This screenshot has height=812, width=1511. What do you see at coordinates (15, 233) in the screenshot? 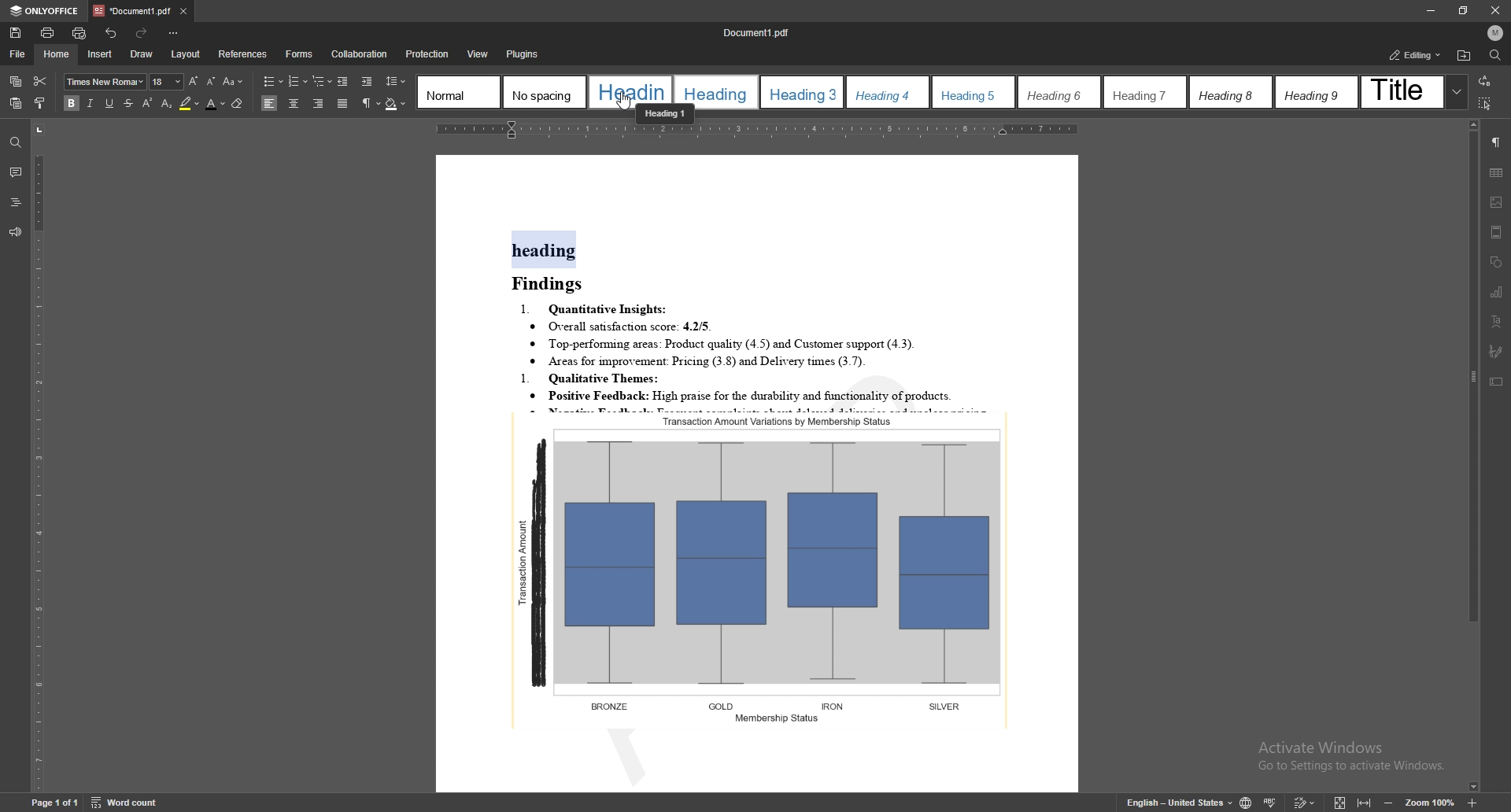
I see `feedback` at bounding box center [15, 233].